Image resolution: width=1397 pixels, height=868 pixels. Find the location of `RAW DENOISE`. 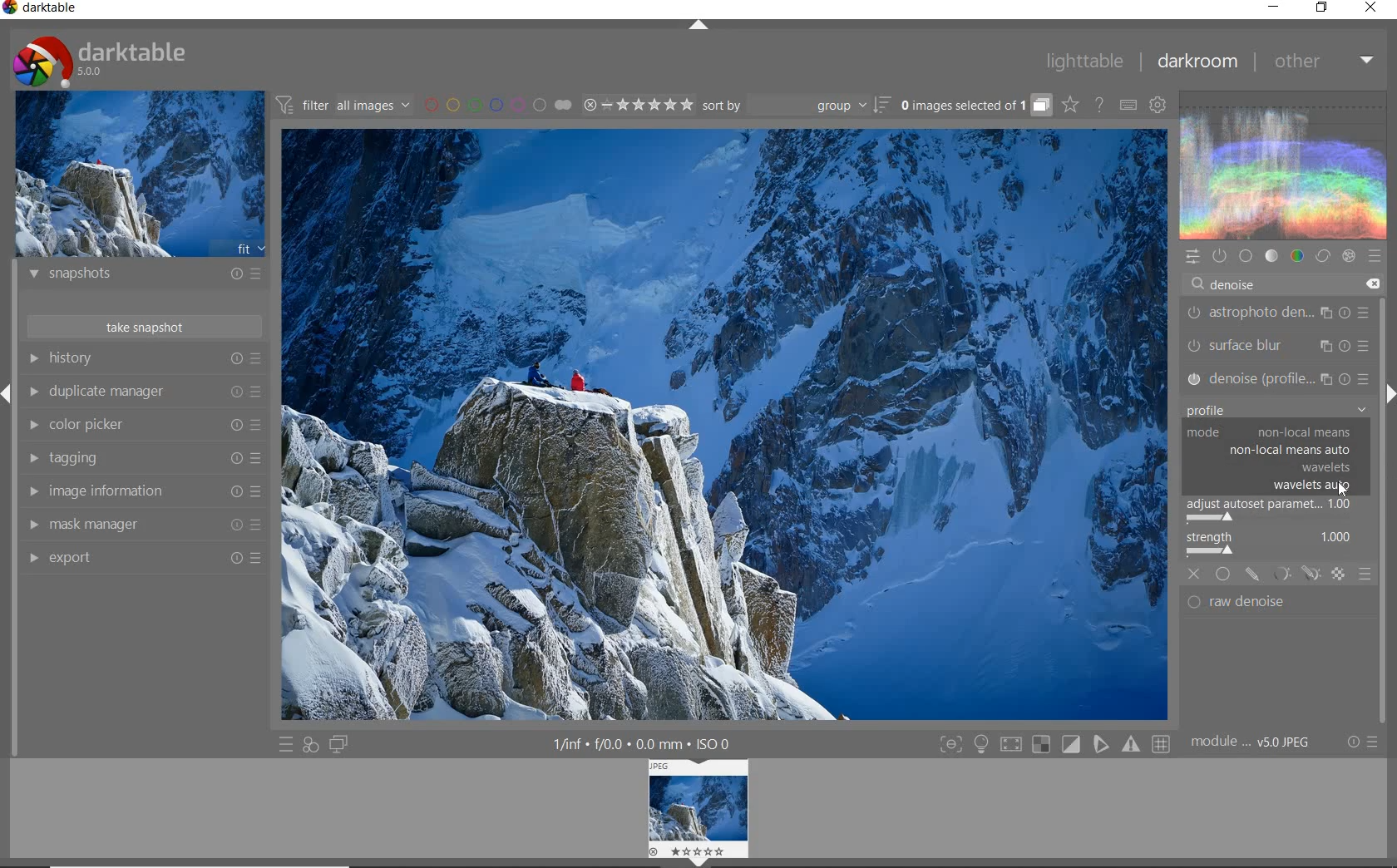

RAW DENOISE is located at coordinates (1266, 604).